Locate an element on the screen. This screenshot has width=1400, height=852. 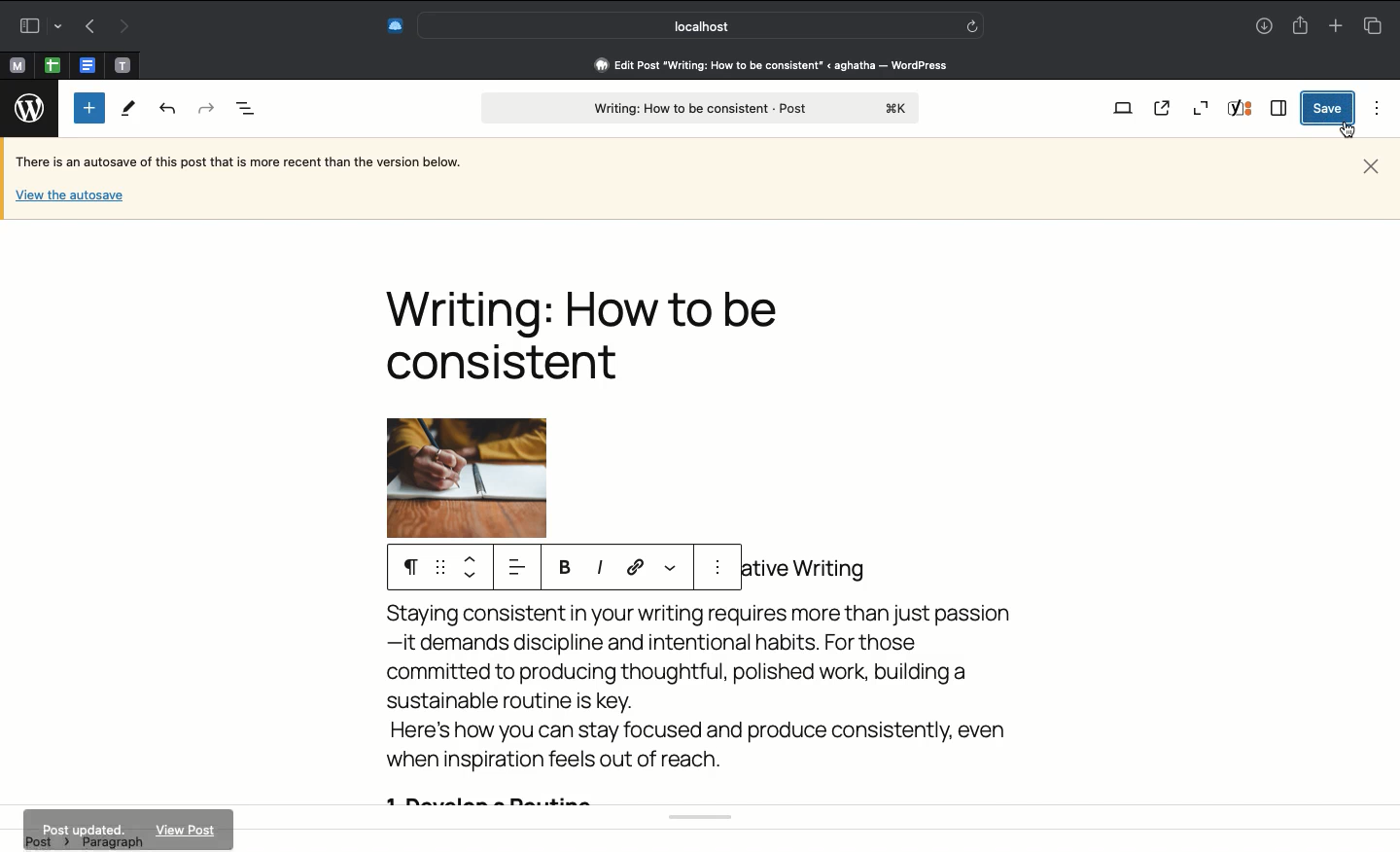
Drag is located at coordinates (439, 568).